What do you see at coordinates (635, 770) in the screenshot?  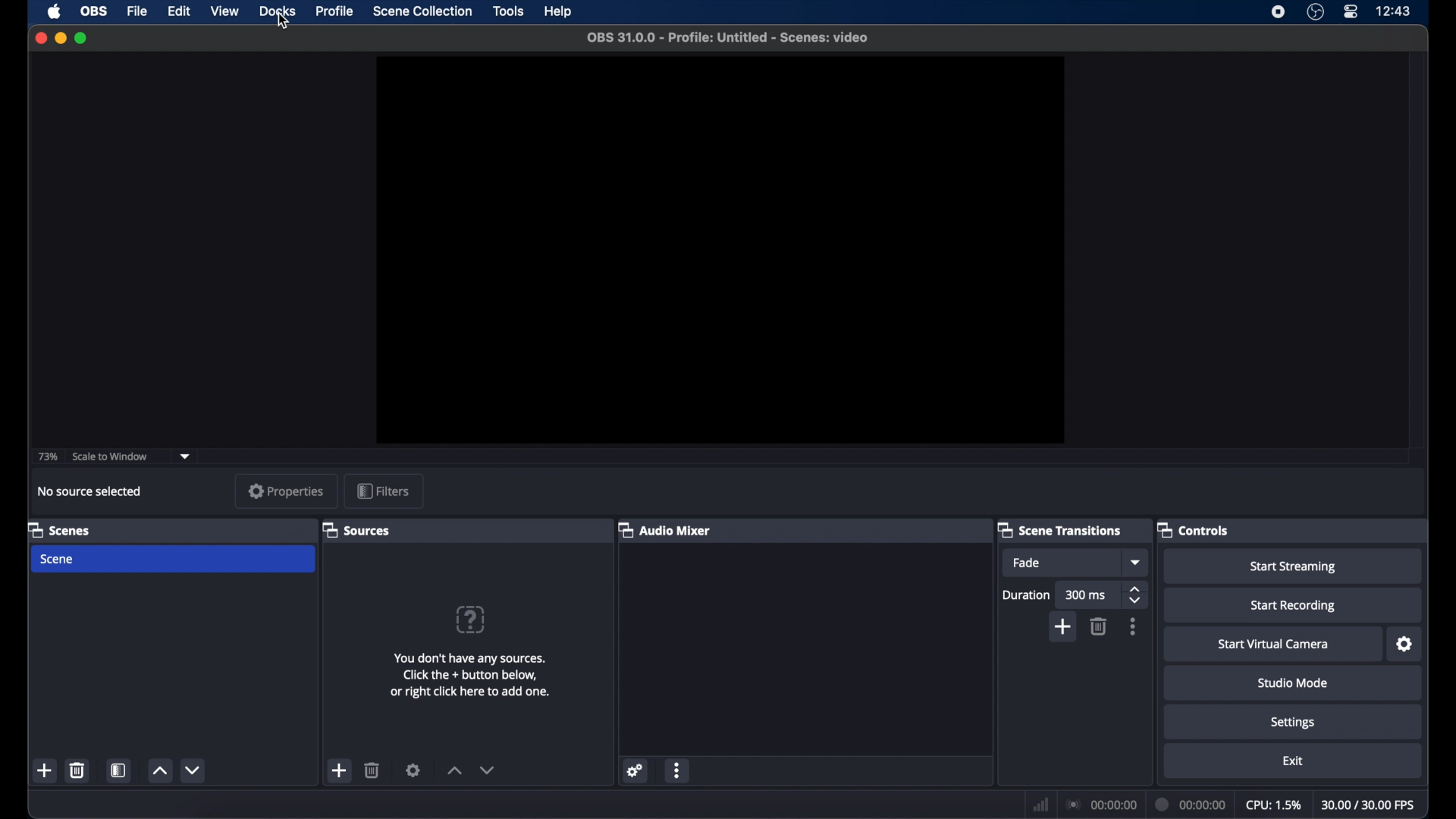 I see `settings` at bounding box center [635, 770].